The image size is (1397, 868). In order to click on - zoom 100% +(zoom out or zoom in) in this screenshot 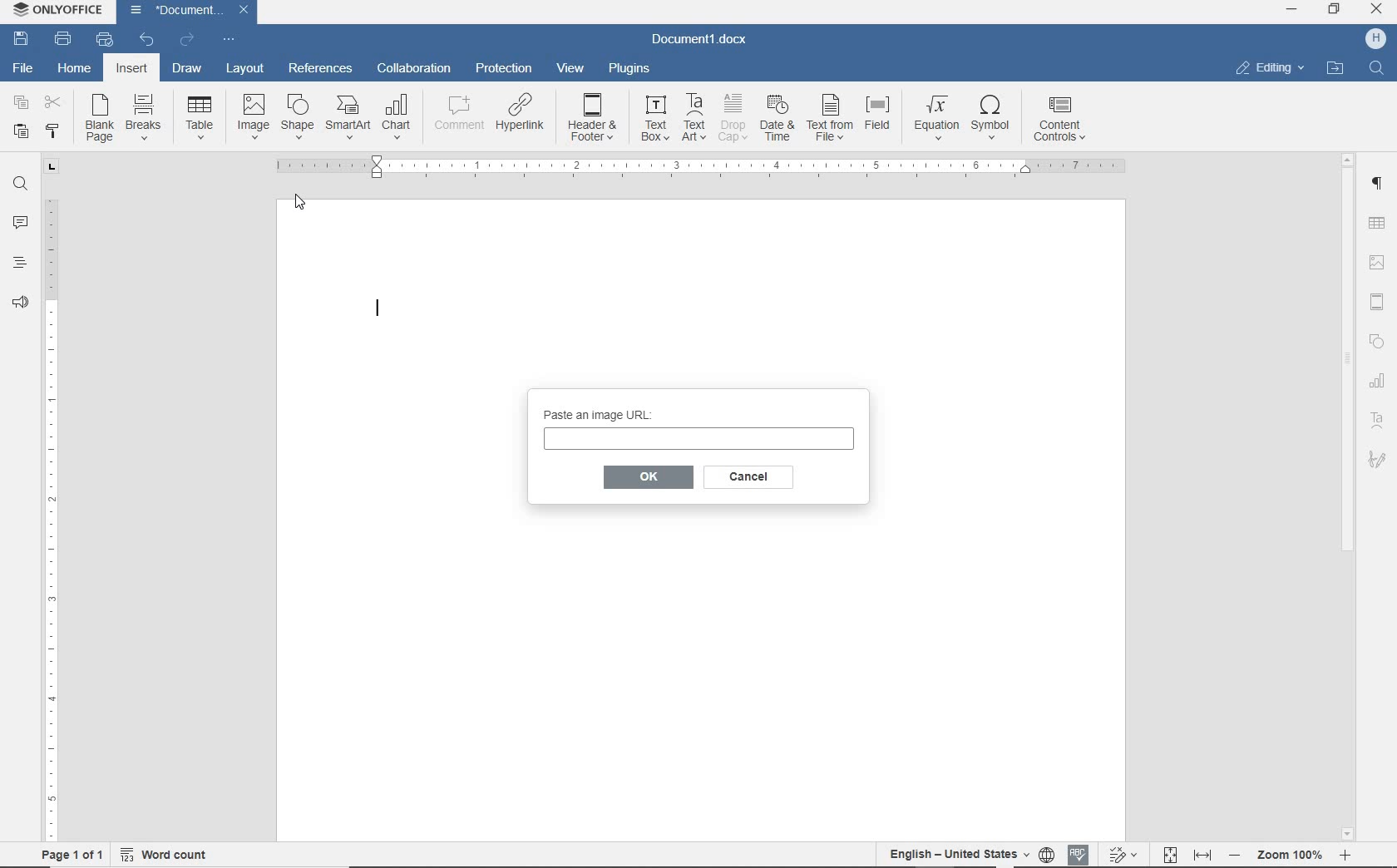, I will do `click(1292, 856)`.